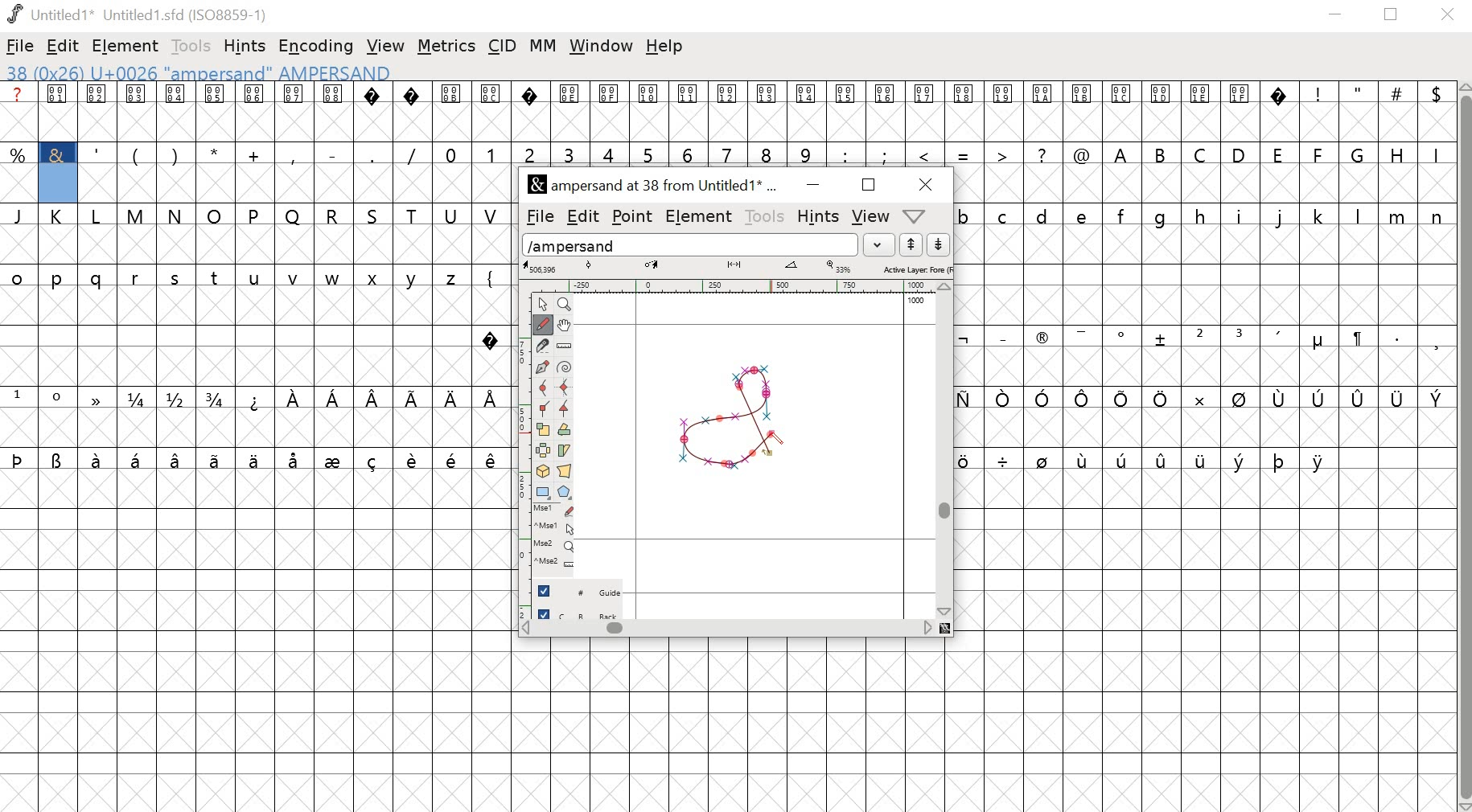 The height and width of the screenshot is (812, 1472). Describe the element at coordinates (64, 47) in the screenshot. I see `edit` at that location.